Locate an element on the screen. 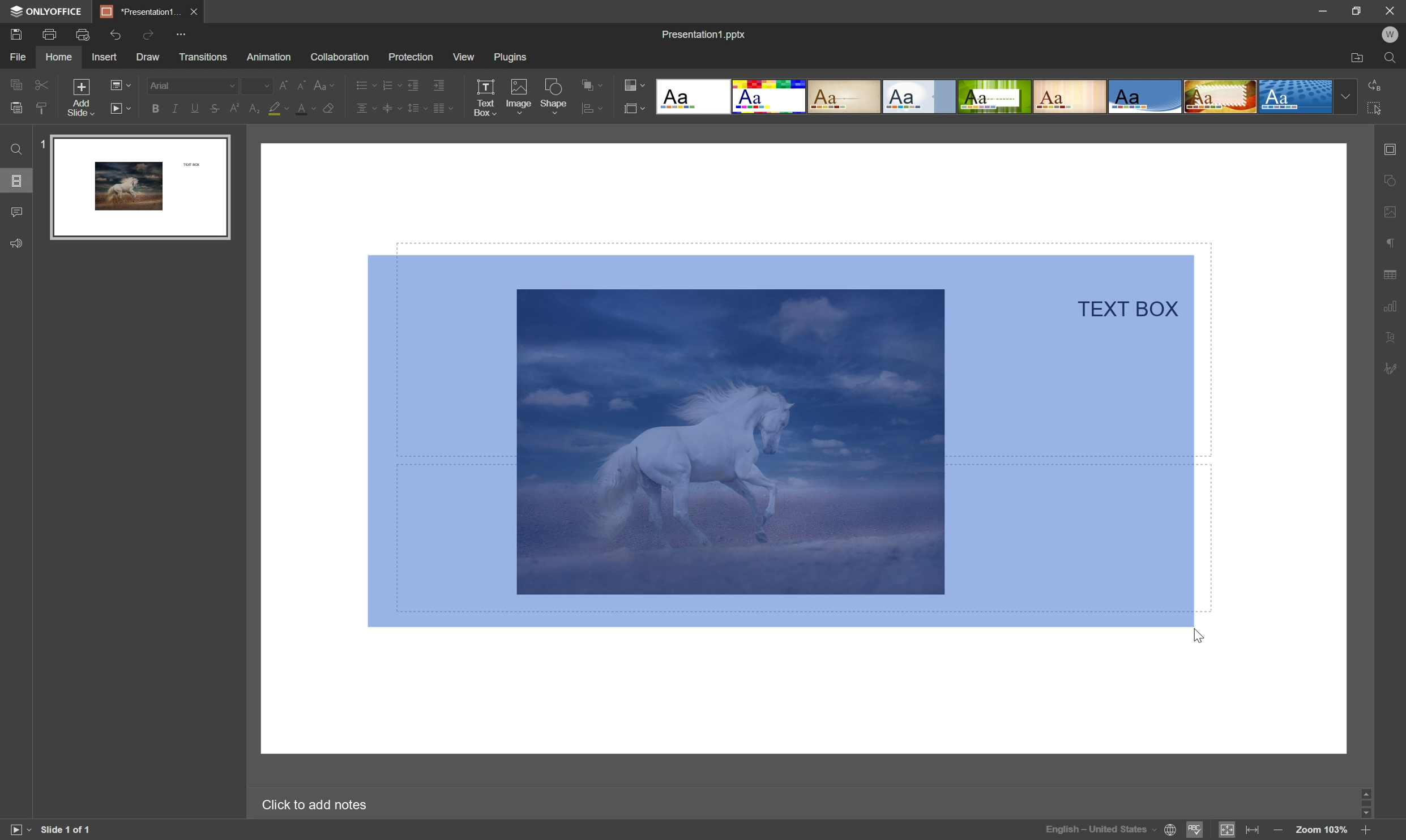  find is located at coordinates (1392, 59).